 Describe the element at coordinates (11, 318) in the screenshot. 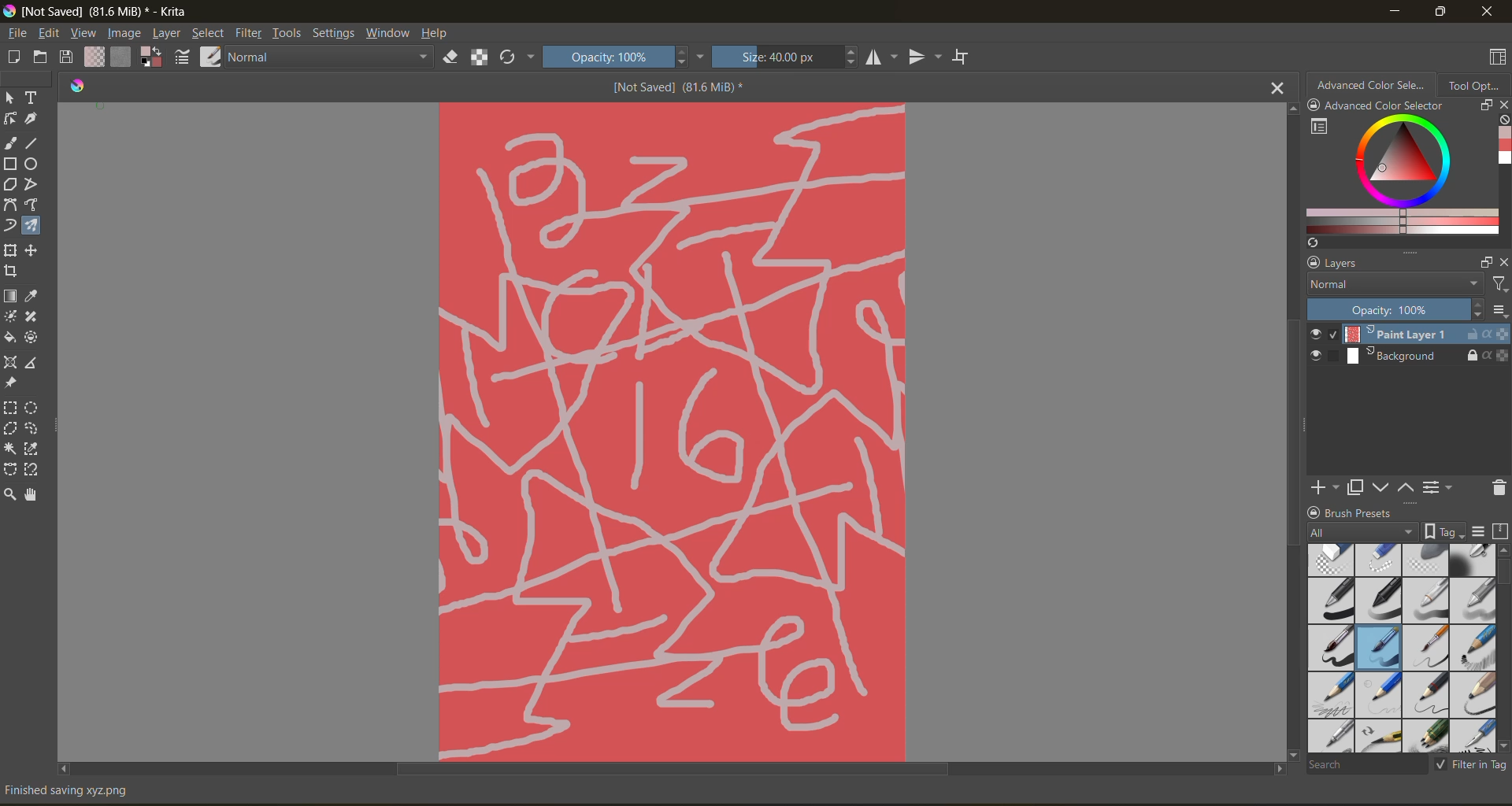

I see `tool` at that location.